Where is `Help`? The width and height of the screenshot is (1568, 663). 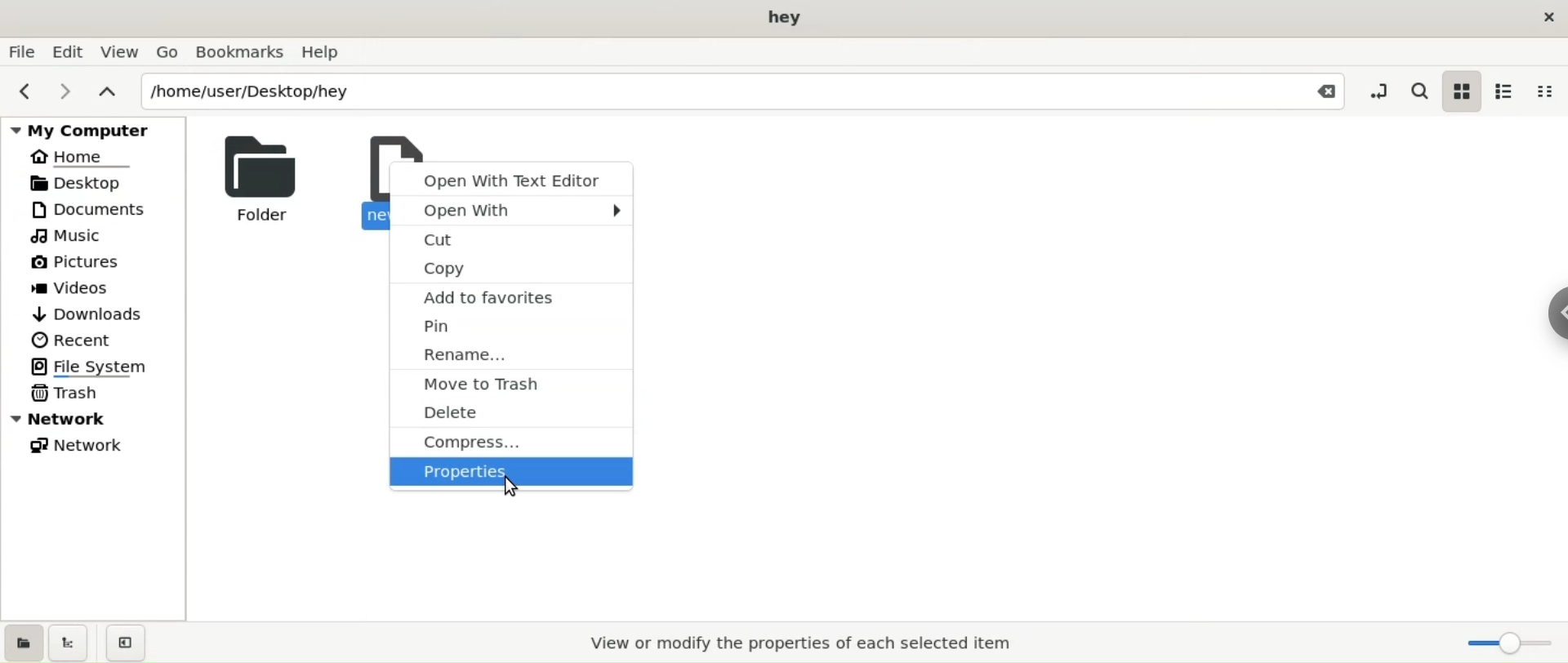
Help is located at coordinates (327, 52).